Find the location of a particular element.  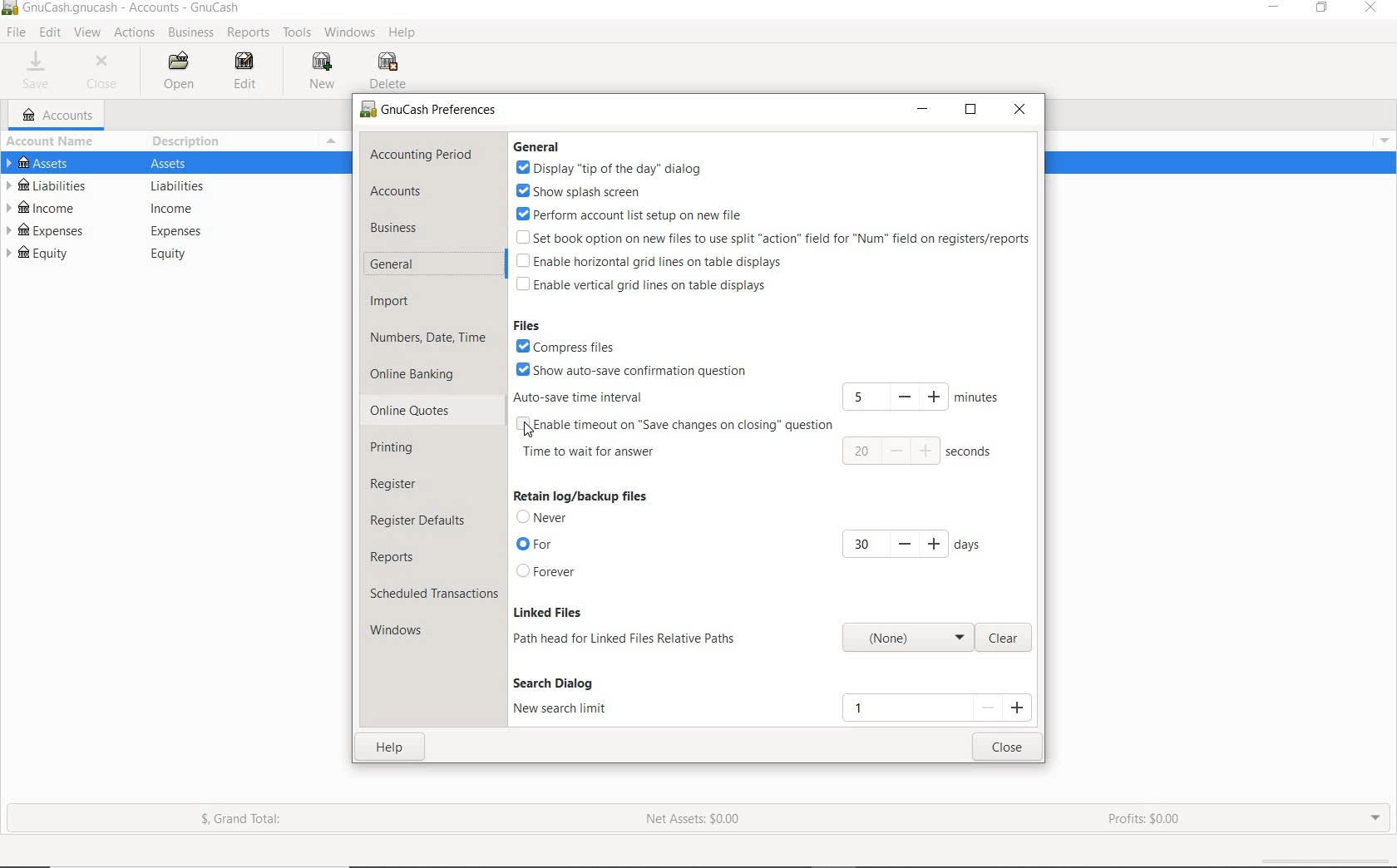

ACCOUNTS is located at coordinates (62, 114).